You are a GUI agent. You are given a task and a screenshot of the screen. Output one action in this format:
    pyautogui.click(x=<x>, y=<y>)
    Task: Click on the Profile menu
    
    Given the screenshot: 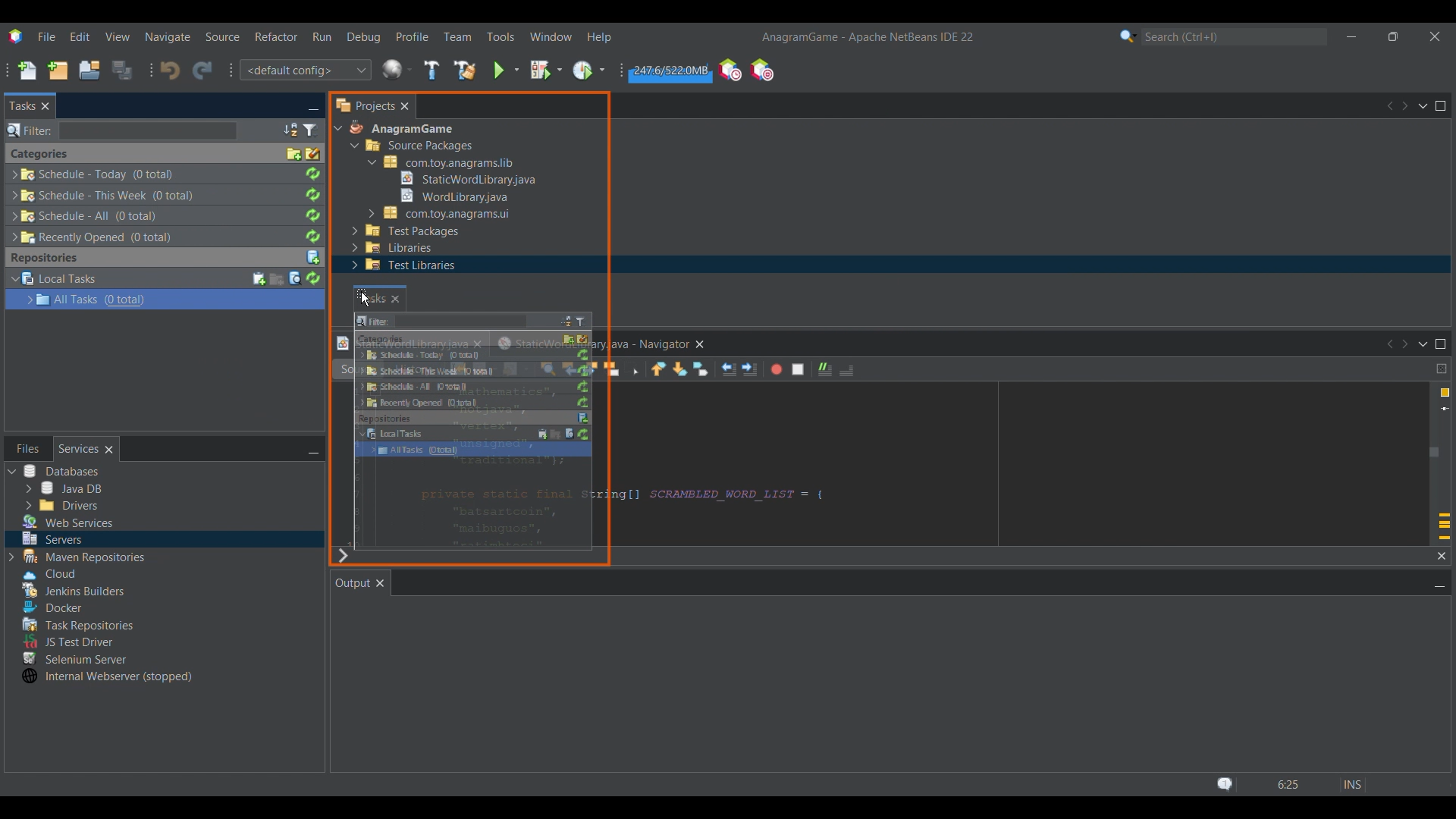 What is the action you would take?
    pyautogui.click(x=412, y=36)
    